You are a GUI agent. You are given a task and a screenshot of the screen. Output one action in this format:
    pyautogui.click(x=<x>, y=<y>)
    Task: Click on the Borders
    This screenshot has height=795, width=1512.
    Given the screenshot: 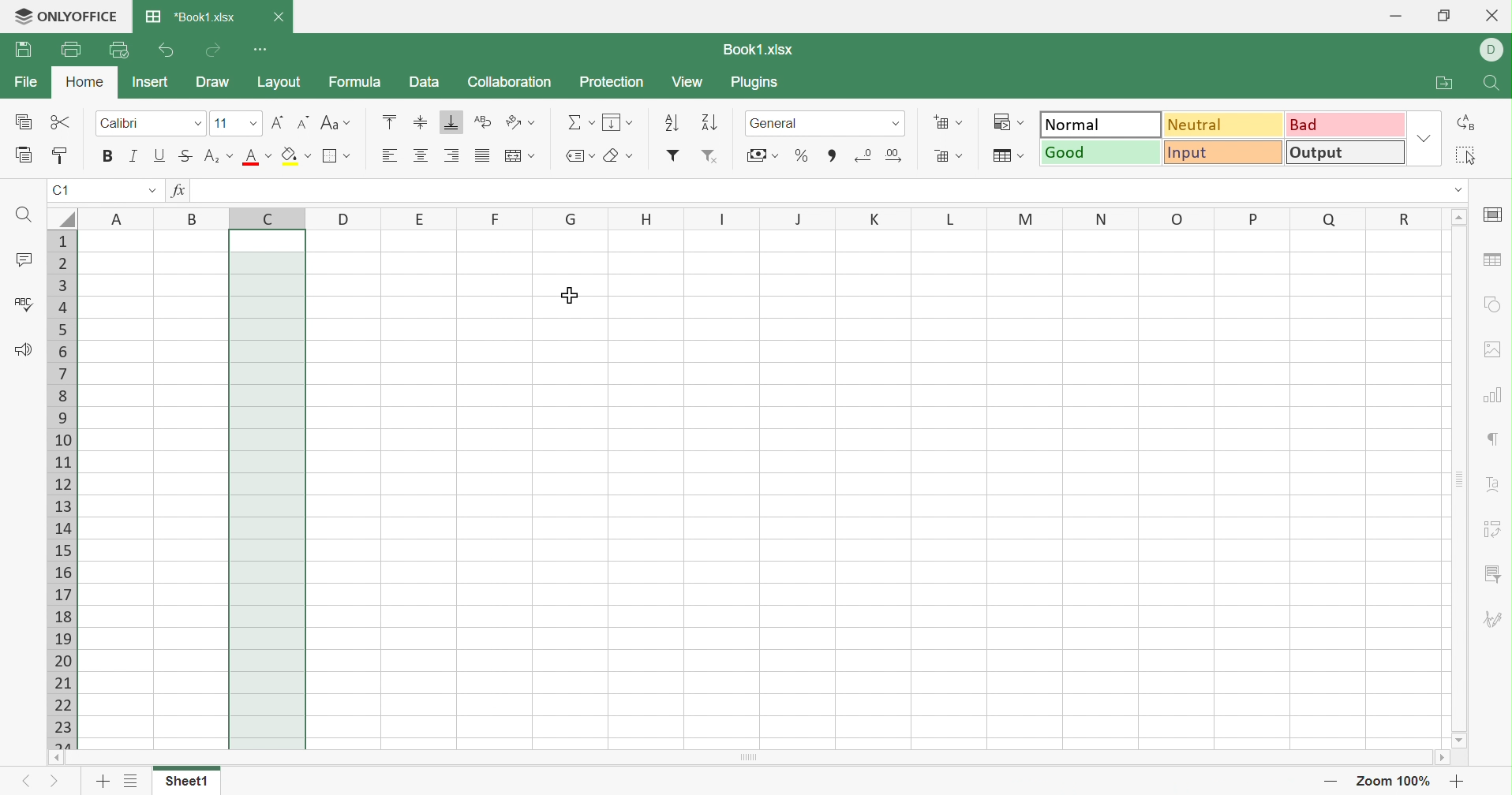 What is the action you would take?
    pyautogui.click(x=329, y=157)
    